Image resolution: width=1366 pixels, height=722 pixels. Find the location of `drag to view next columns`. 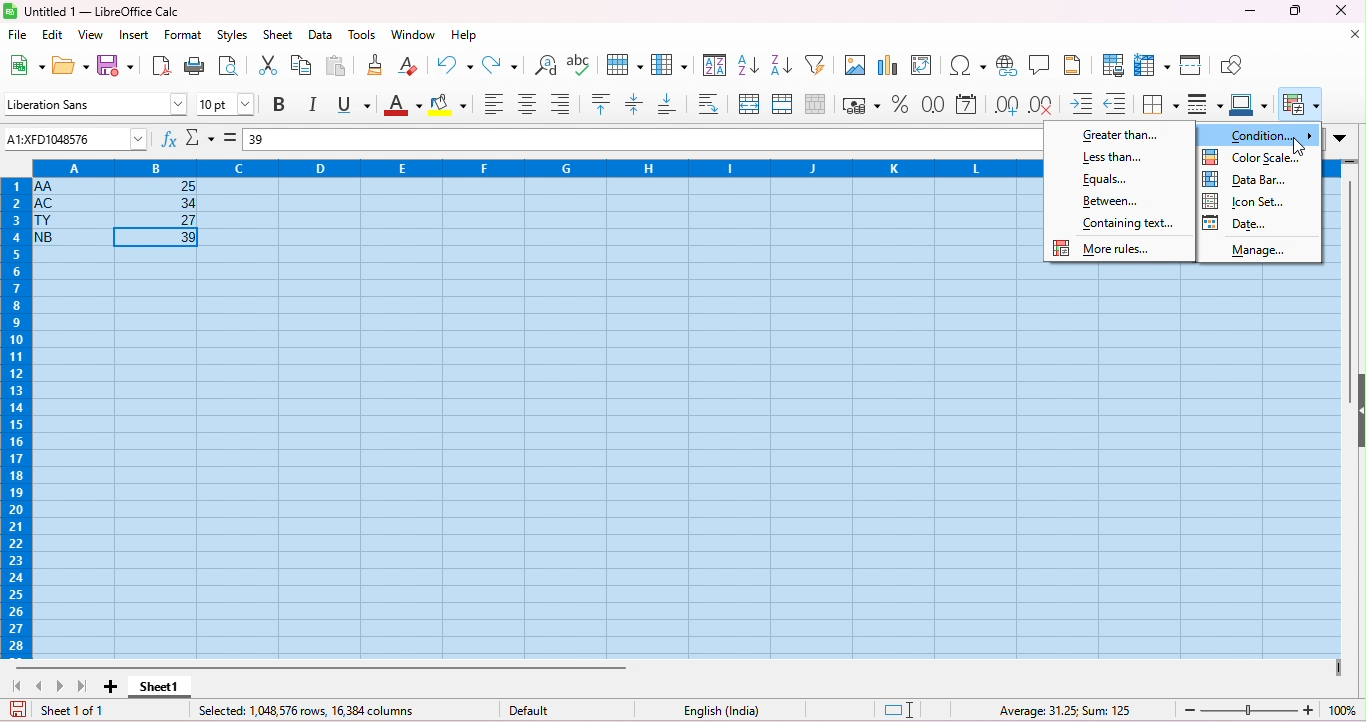

drag to view next columns is located at coordinates (1337, 666).